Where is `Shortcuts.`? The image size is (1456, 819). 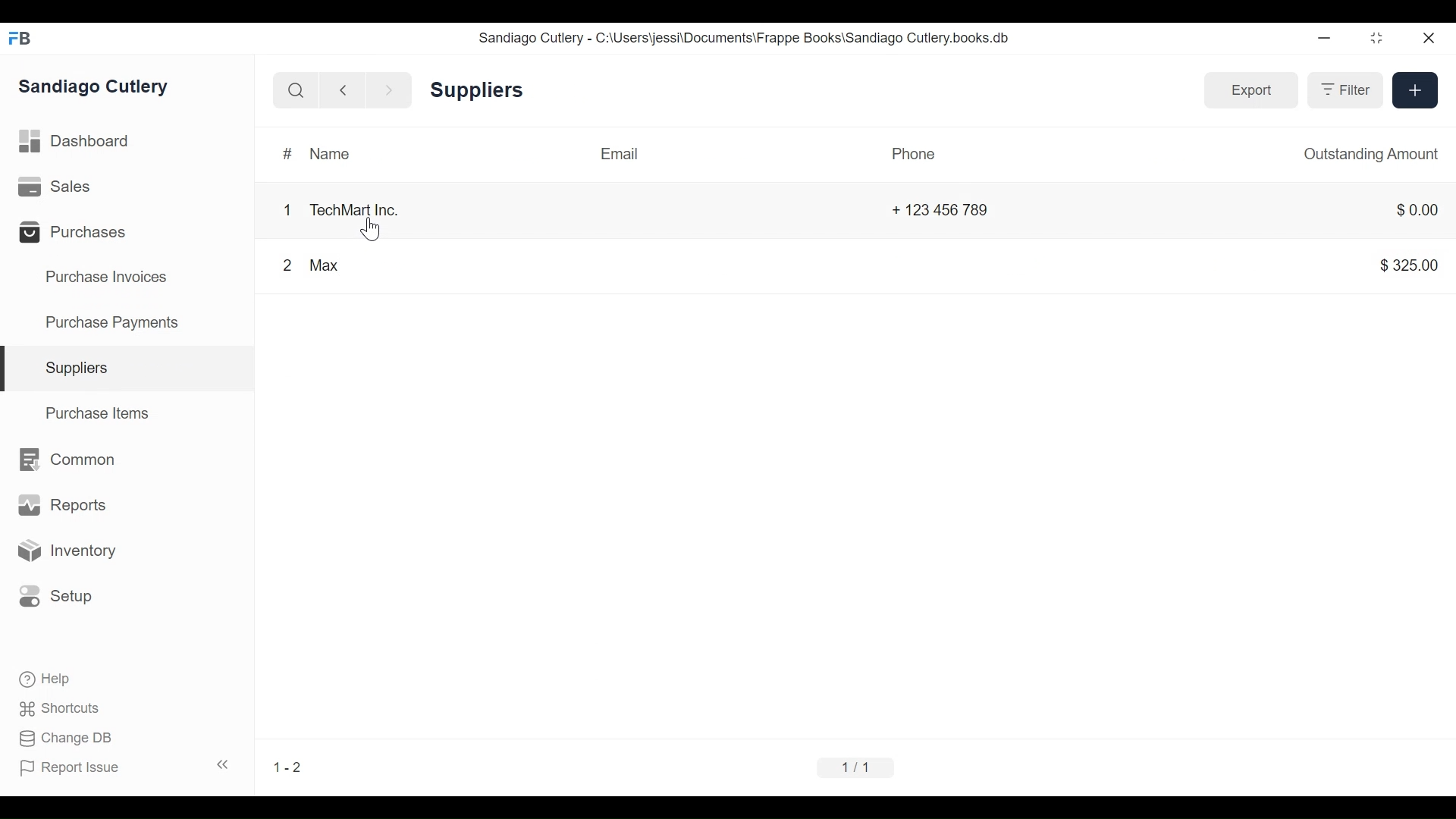 Shortcuts. is located at coordinates (61, 709).